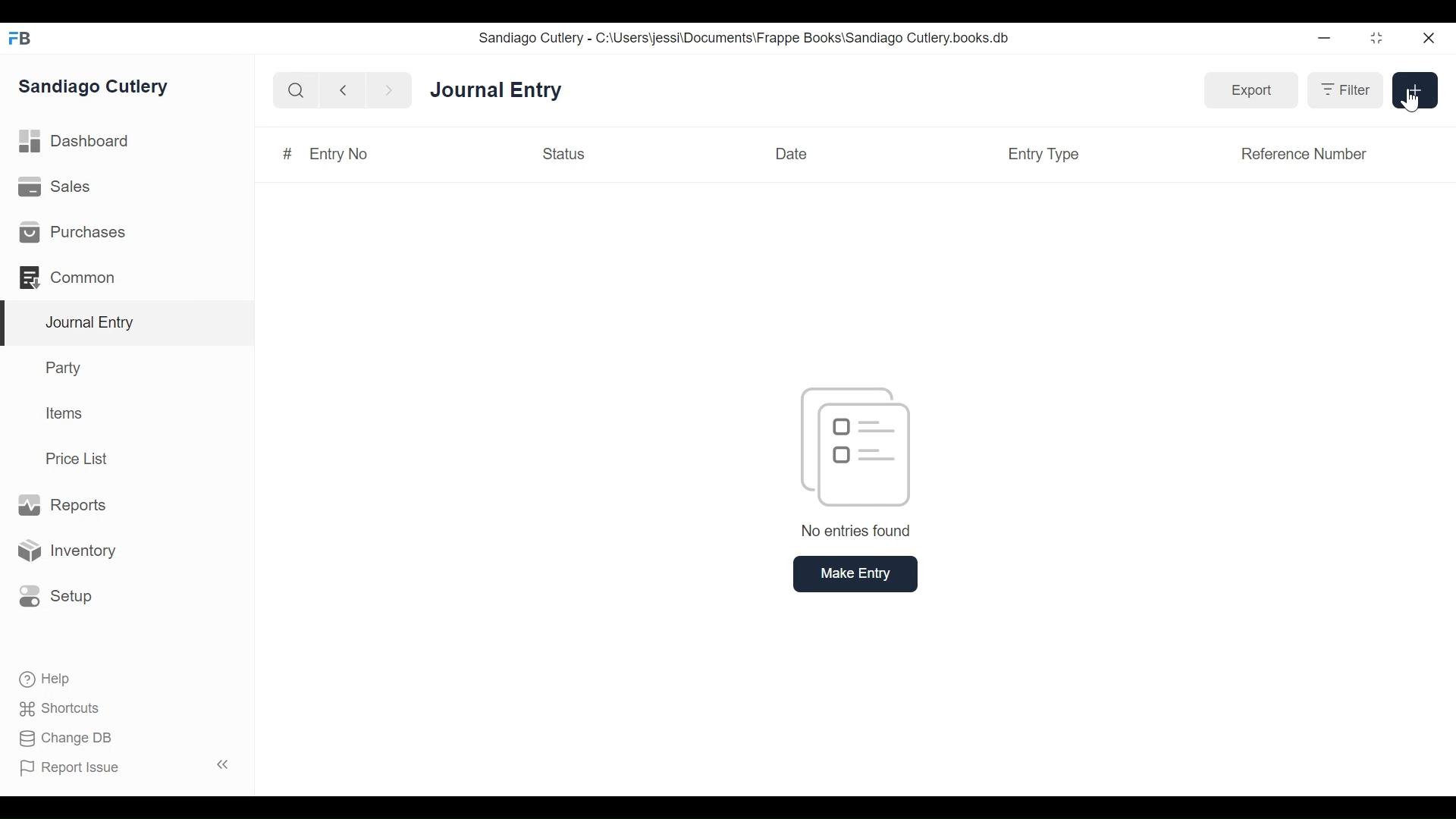  What do you see at coordinates (854, 461) in the screenshot?
I see `No entries found` at bounding box center [854, 461].